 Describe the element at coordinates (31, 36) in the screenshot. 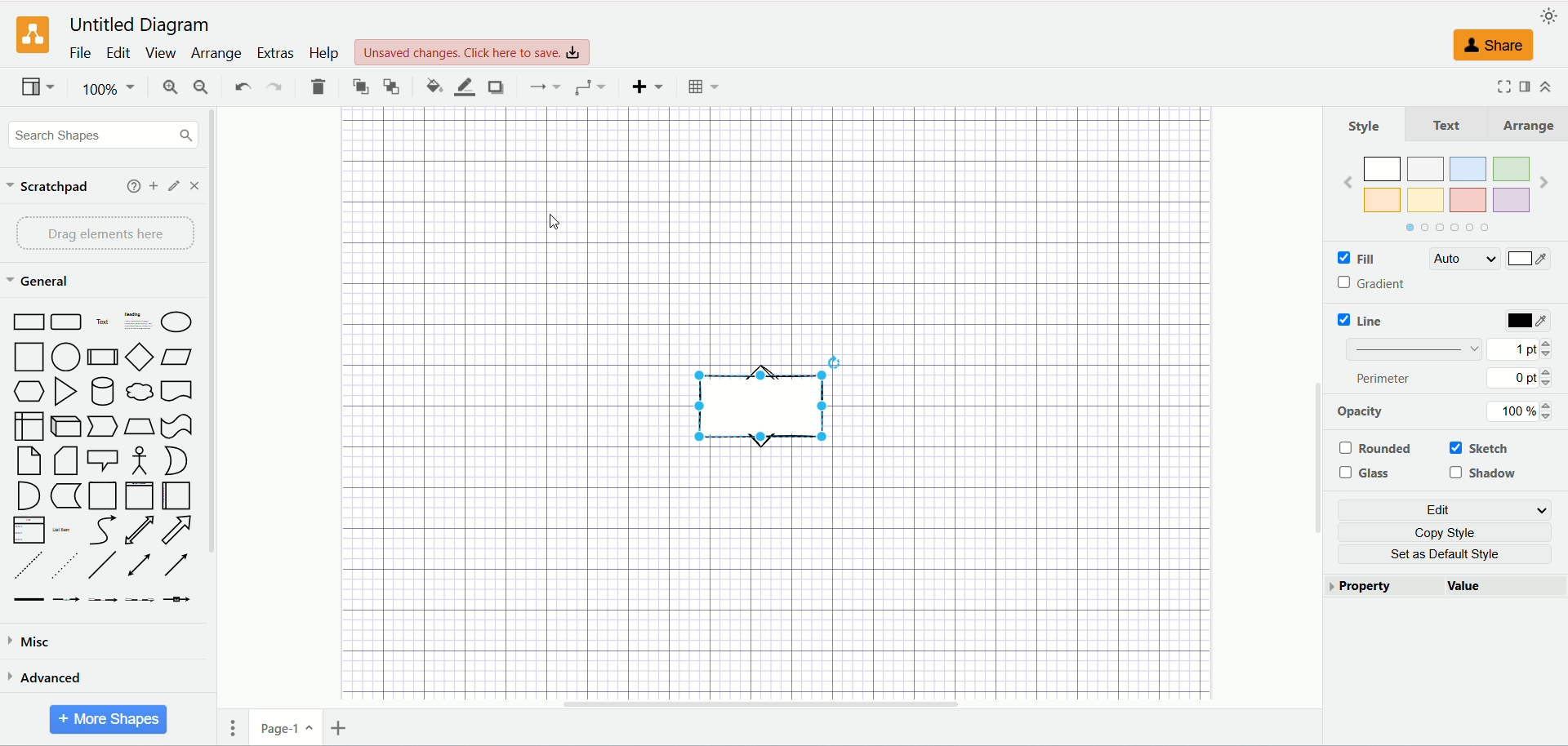

I see `logo` at that location.